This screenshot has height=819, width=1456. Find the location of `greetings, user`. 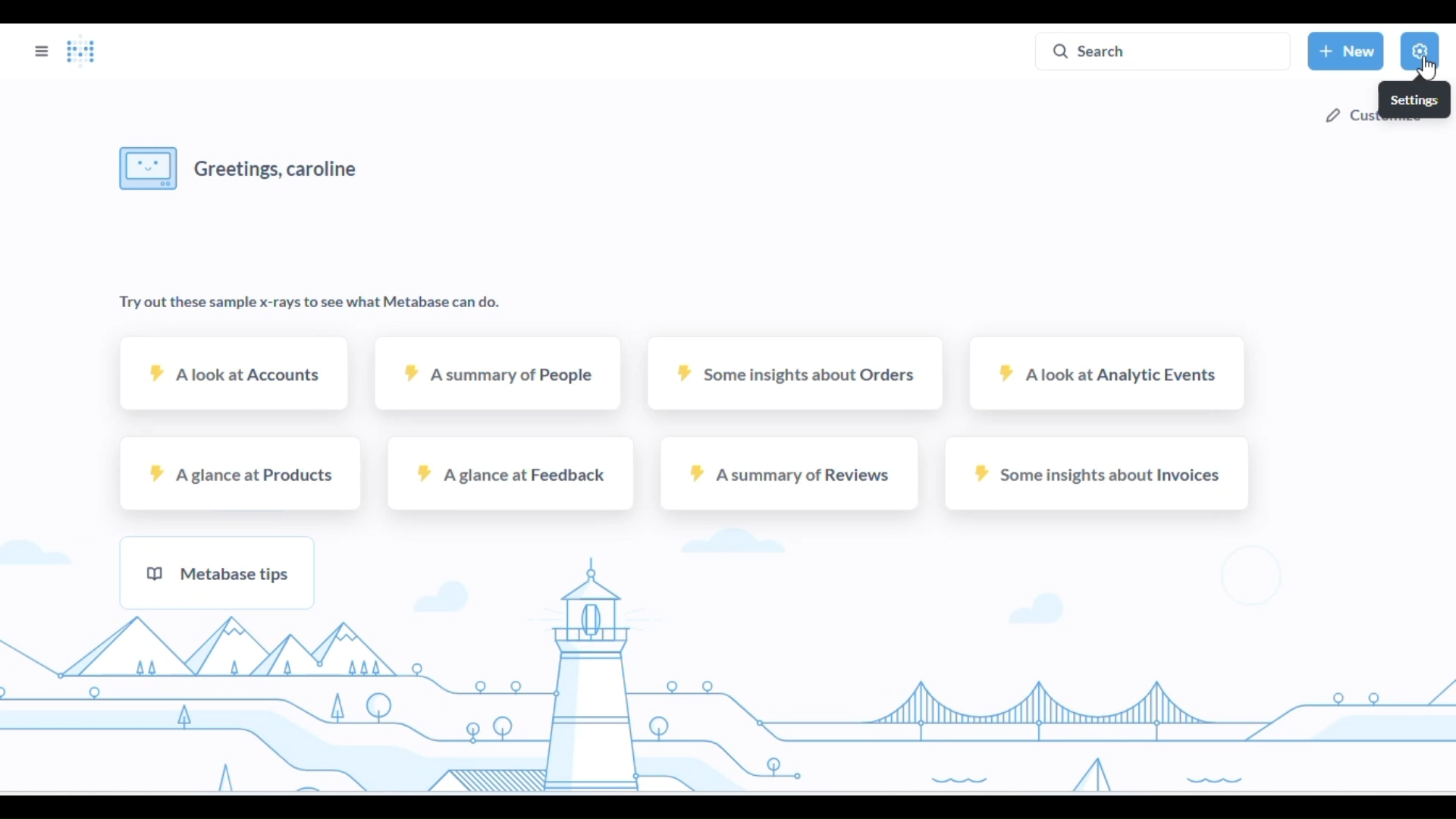

greetings, user is located at coordinates (243, 168).